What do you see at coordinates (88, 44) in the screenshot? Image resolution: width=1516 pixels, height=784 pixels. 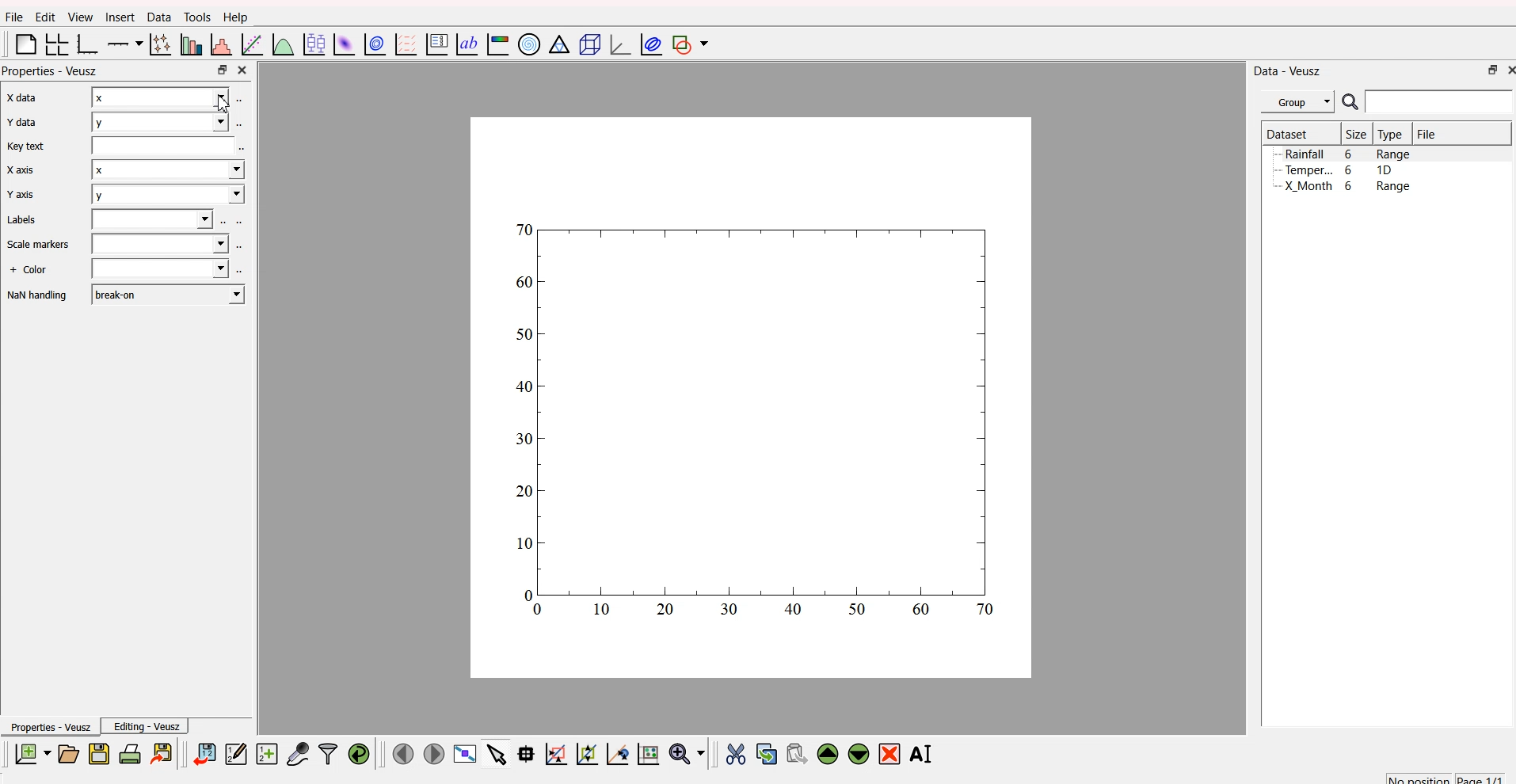 I see `base graph` at bounding box center [88, 44].